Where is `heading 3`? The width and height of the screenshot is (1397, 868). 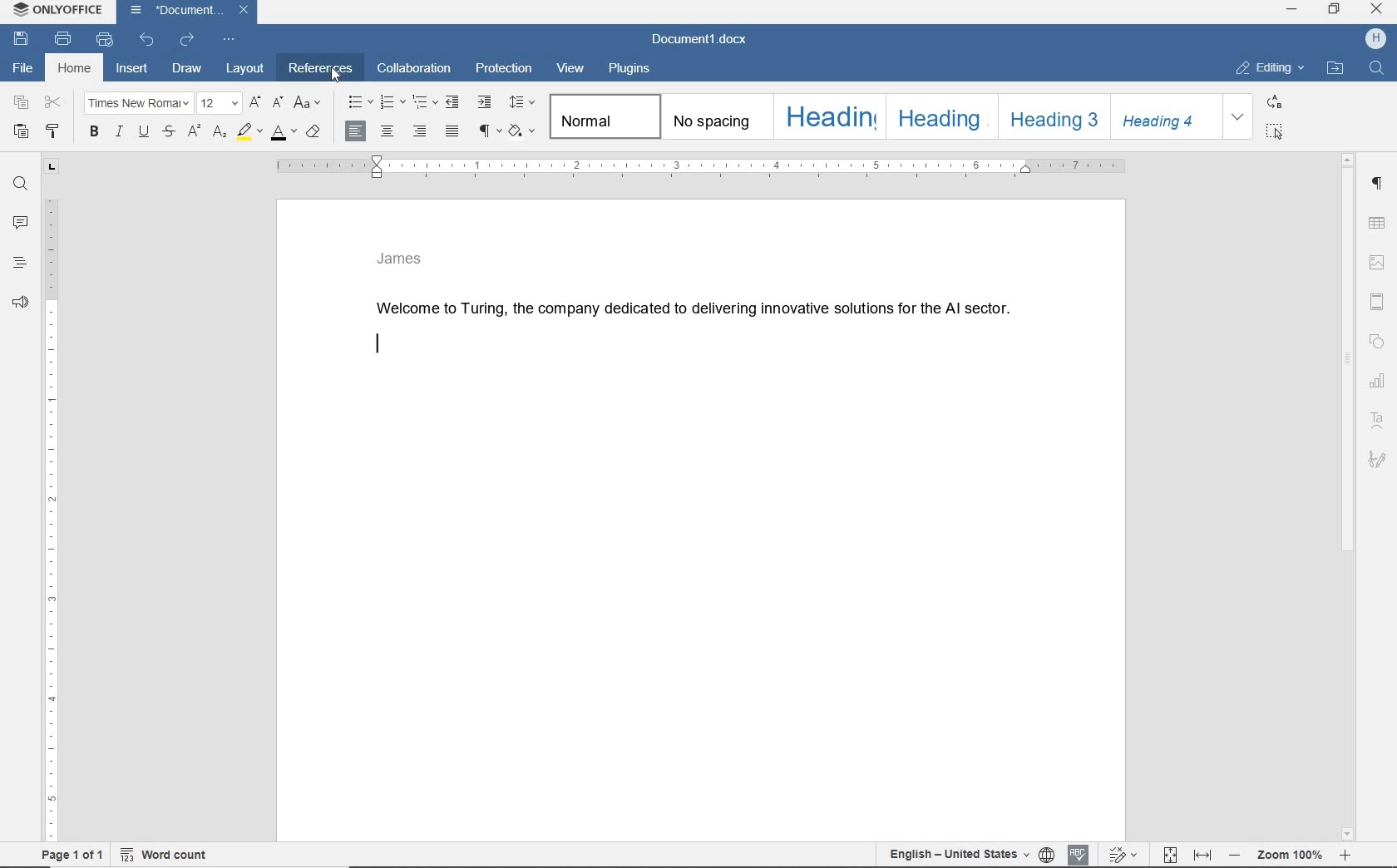 heading 3 is located at coordinates (1051, 118).